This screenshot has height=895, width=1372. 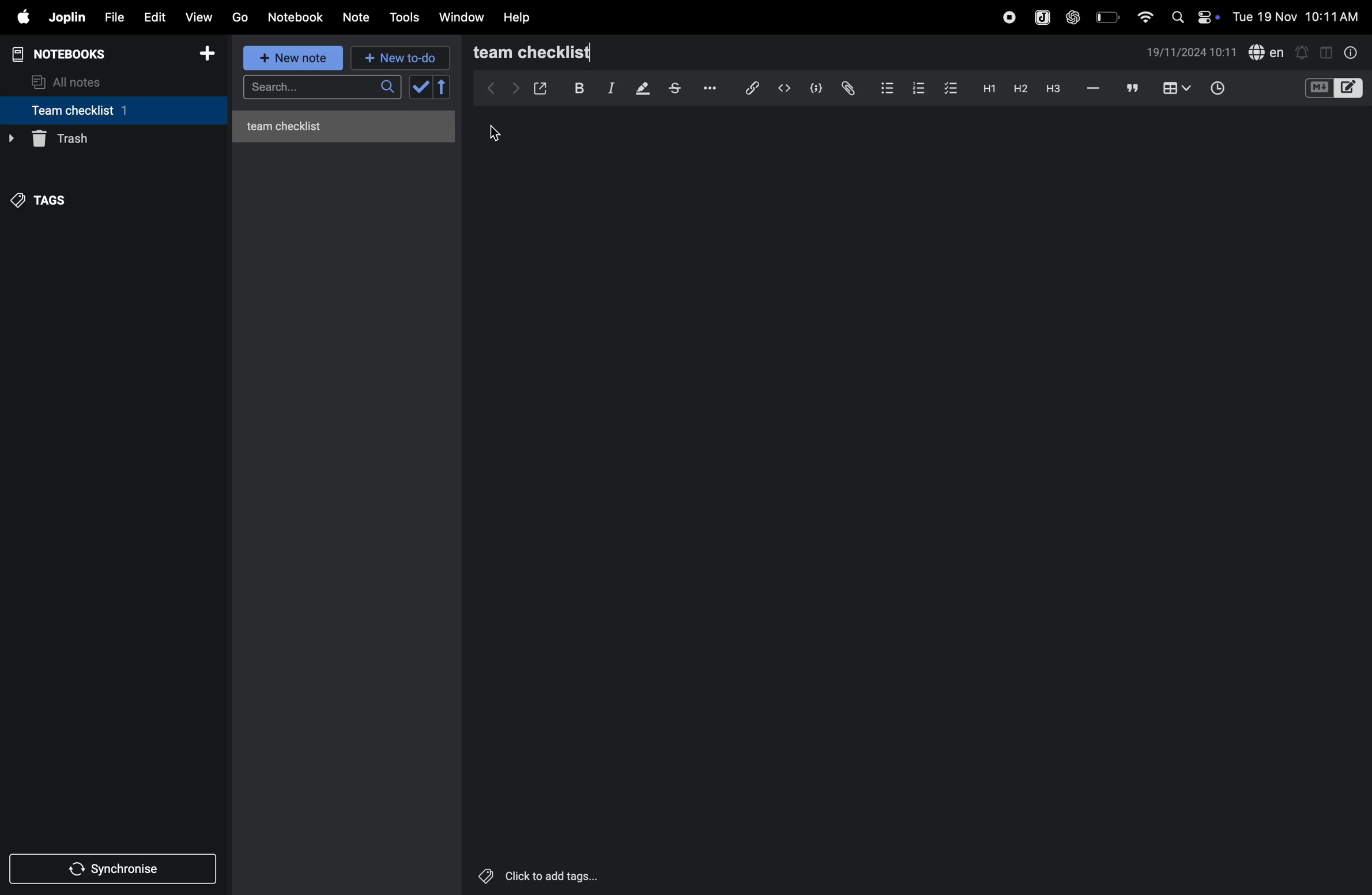 What do you see at coordinates (847, 88) in the screenshot?
I see `attach file` at bounding box center [847, 88].